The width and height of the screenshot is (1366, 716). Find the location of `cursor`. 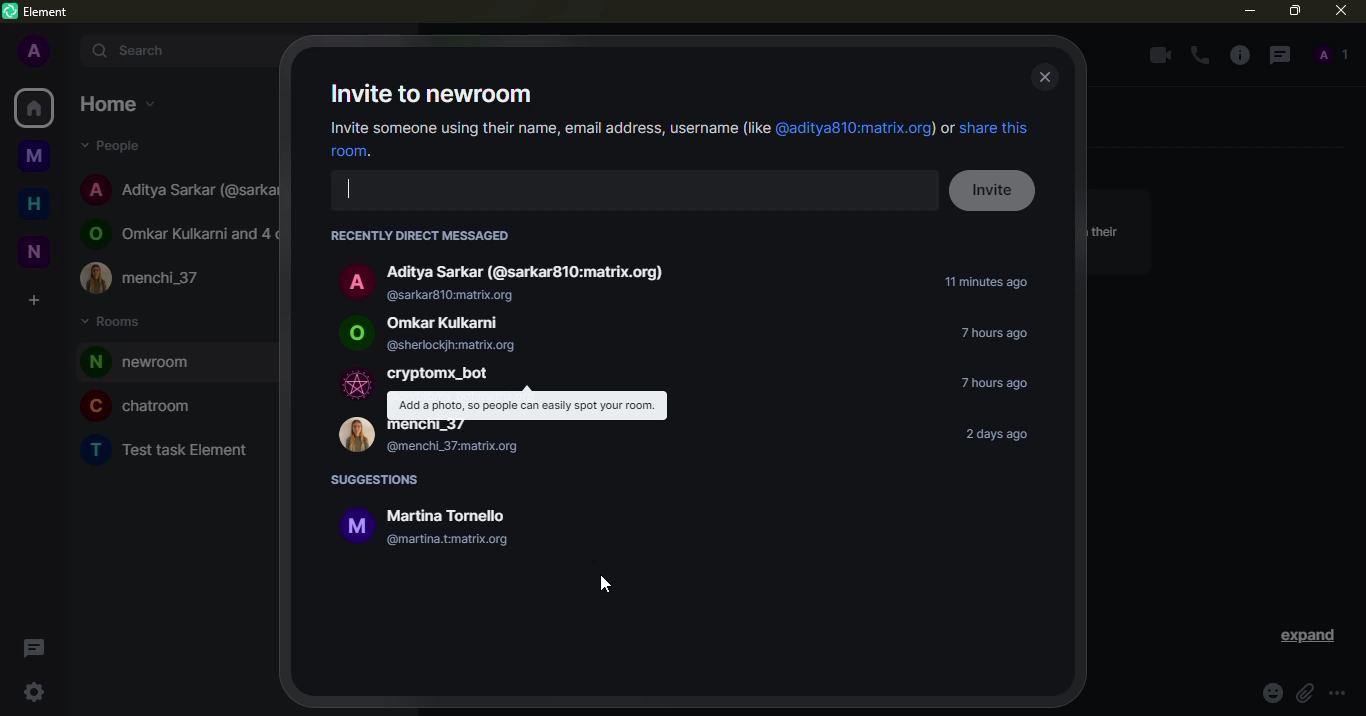

cursor is located at coordinates (602, 588).